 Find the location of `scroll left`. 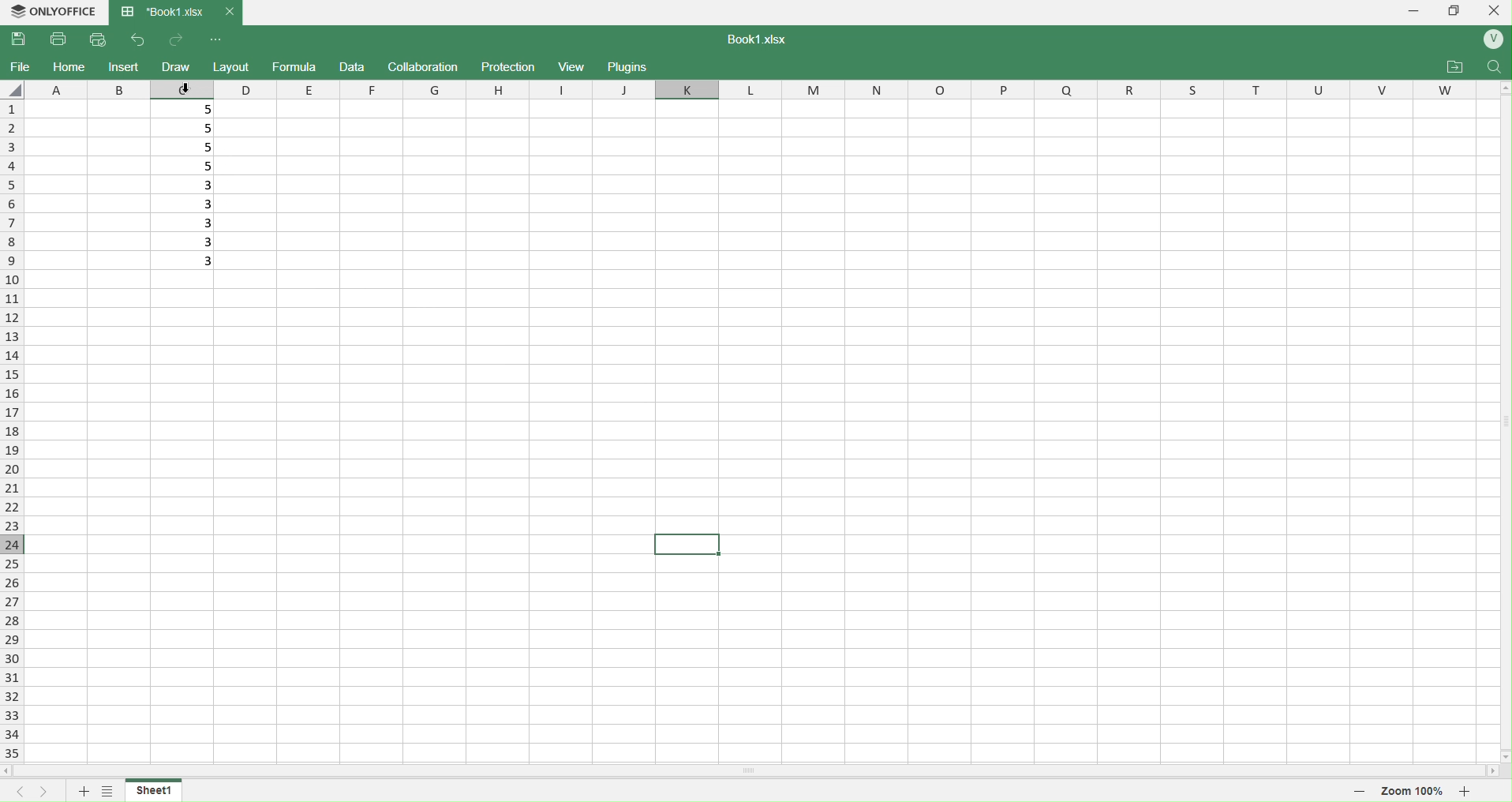

scroll left is located at coordinates (11, 772).